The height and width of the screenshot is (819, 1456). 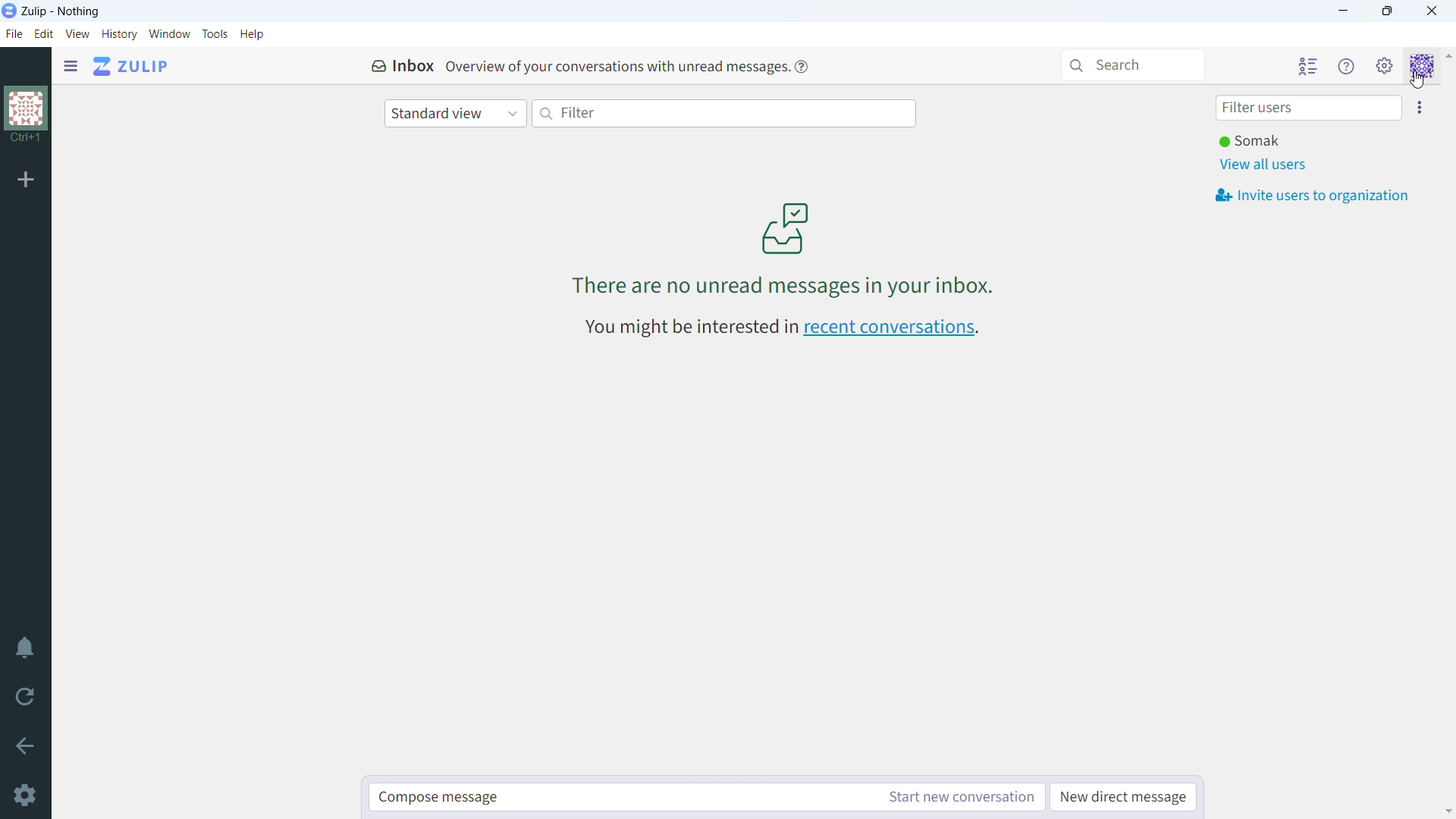 What do you see at coordinates (802, 67) in the screenshot?
I see `help` at bounding box center [802, 67].